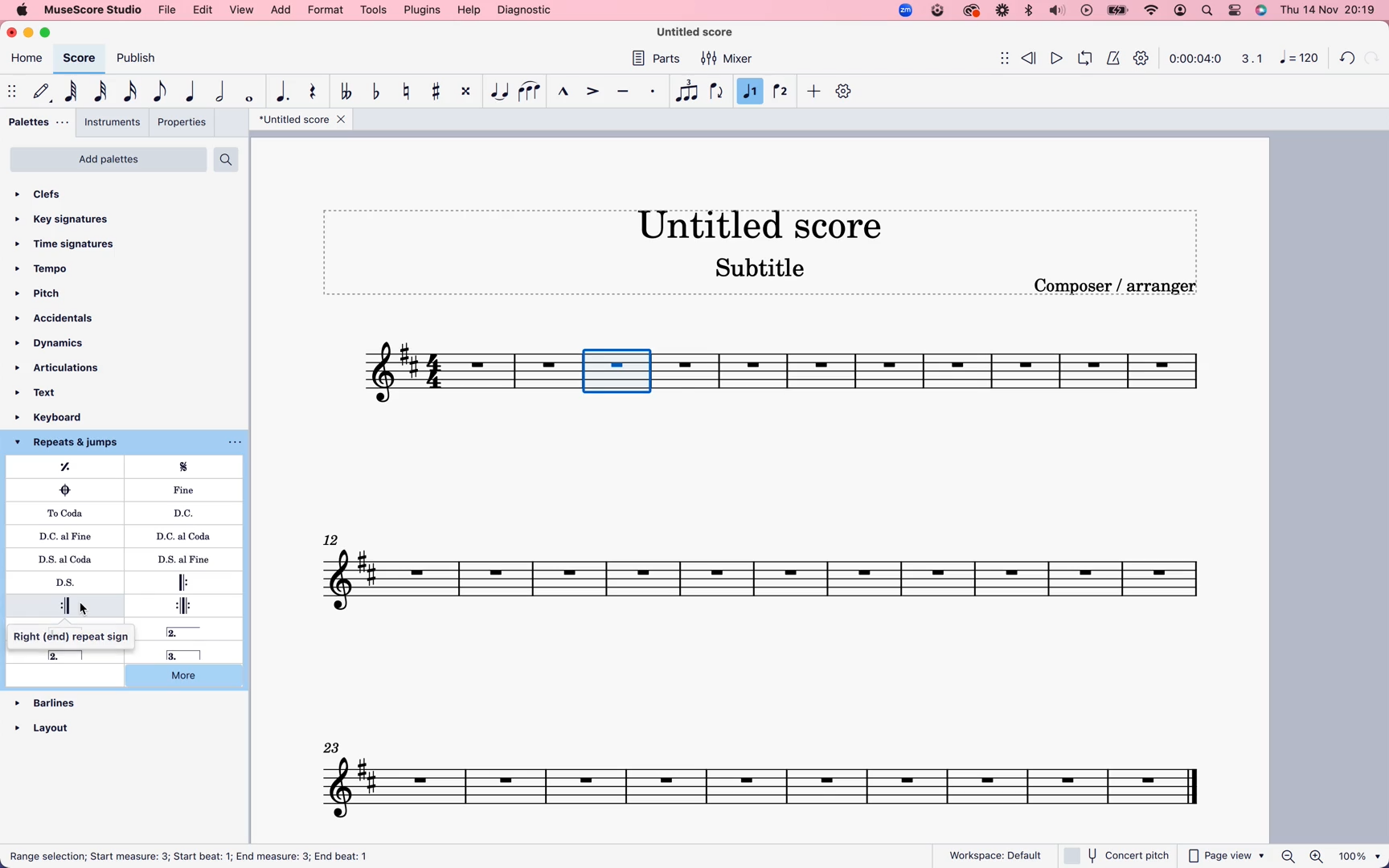  I want to click on file, so click(169, 10).